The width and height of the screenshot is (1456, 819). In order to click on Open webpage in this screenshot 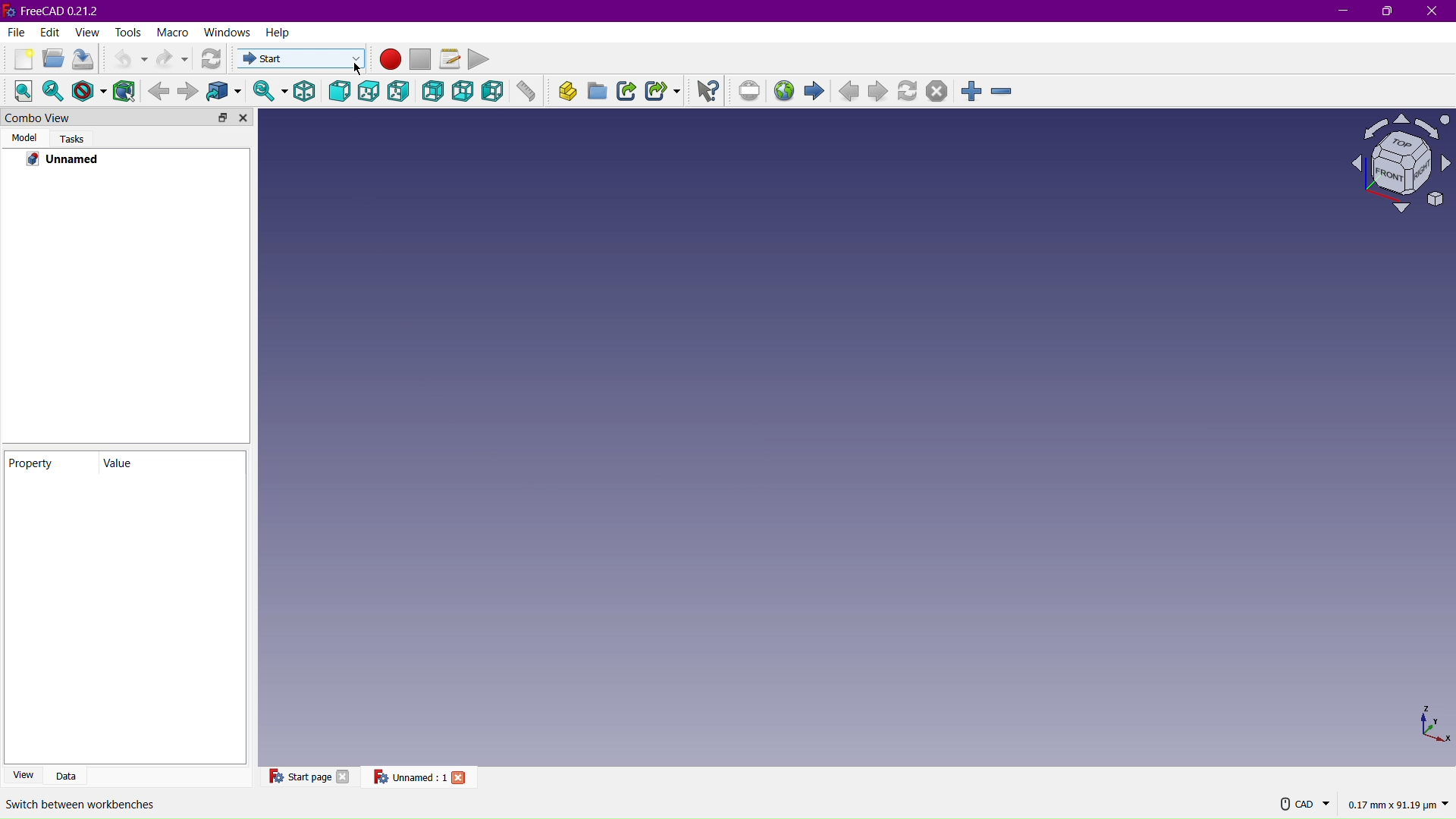, I will do `click(786, 92)`.